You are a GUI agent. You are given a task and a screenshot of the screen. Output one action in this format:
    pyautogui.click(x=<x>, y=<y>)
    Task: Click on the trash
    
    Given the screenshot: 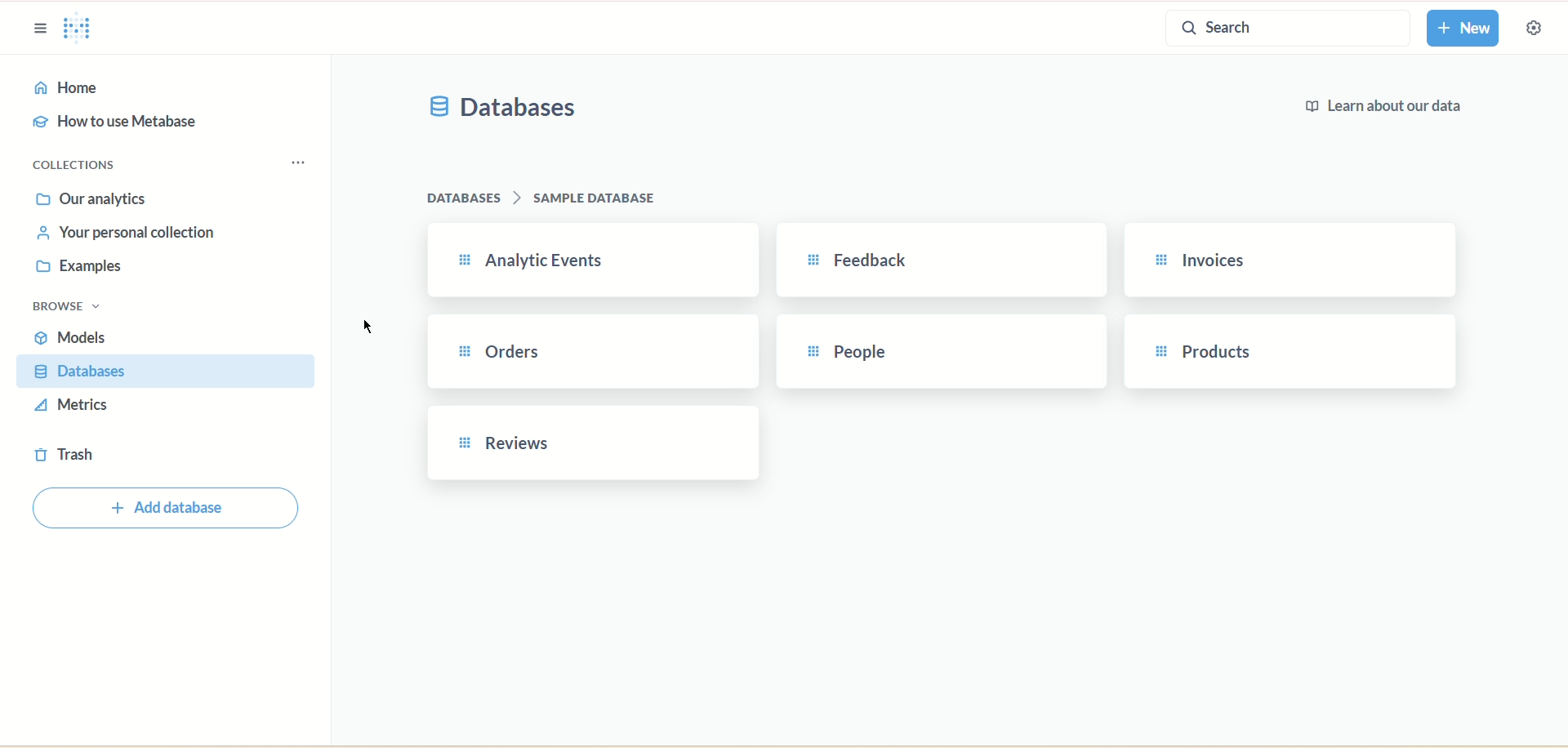 What is the action you would take?
    pyautogui.click(x=65, y=454)
    